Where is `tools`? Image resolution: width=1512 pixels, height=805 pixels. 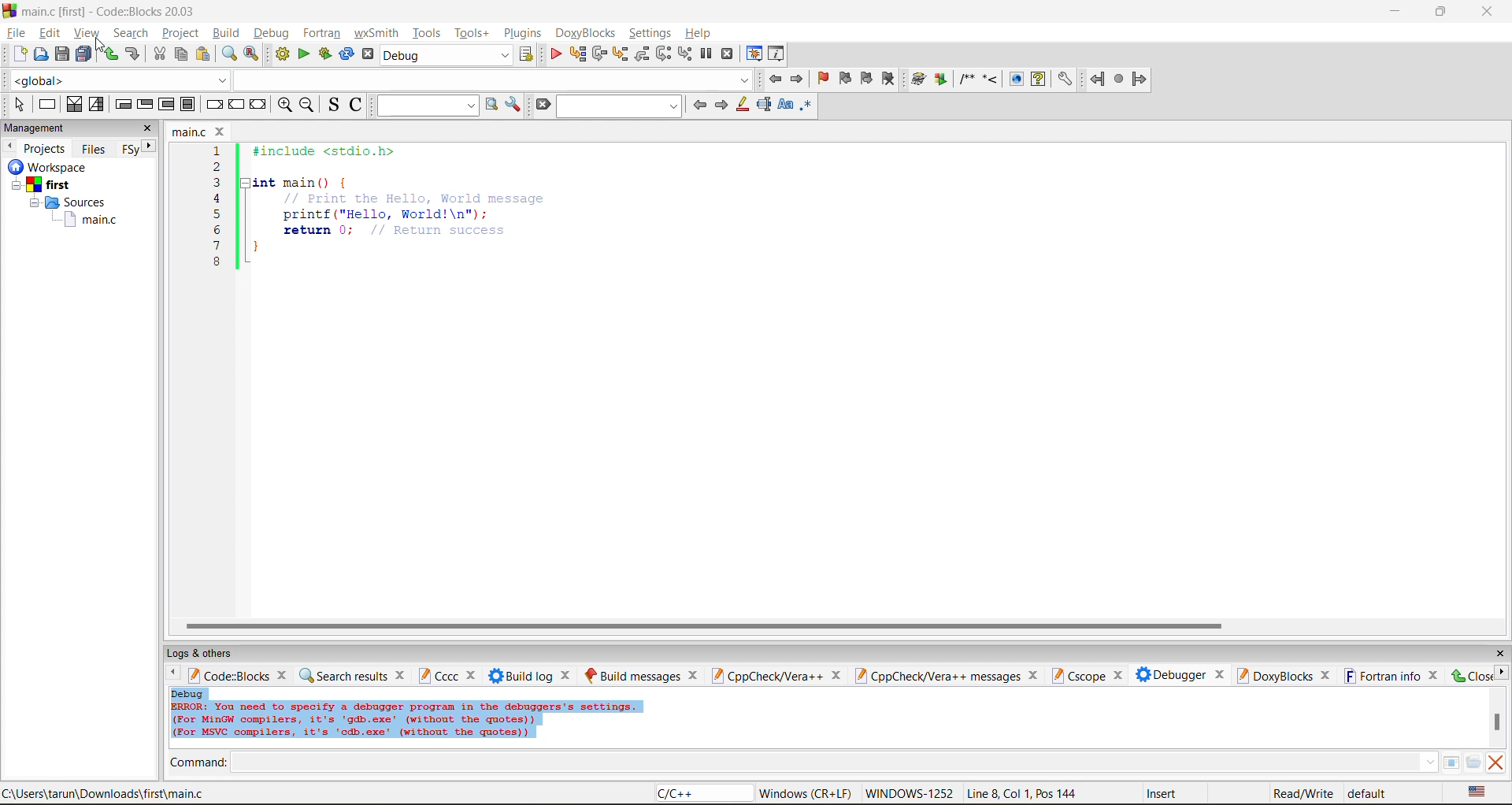 tools is located at coordinates (426, 31).